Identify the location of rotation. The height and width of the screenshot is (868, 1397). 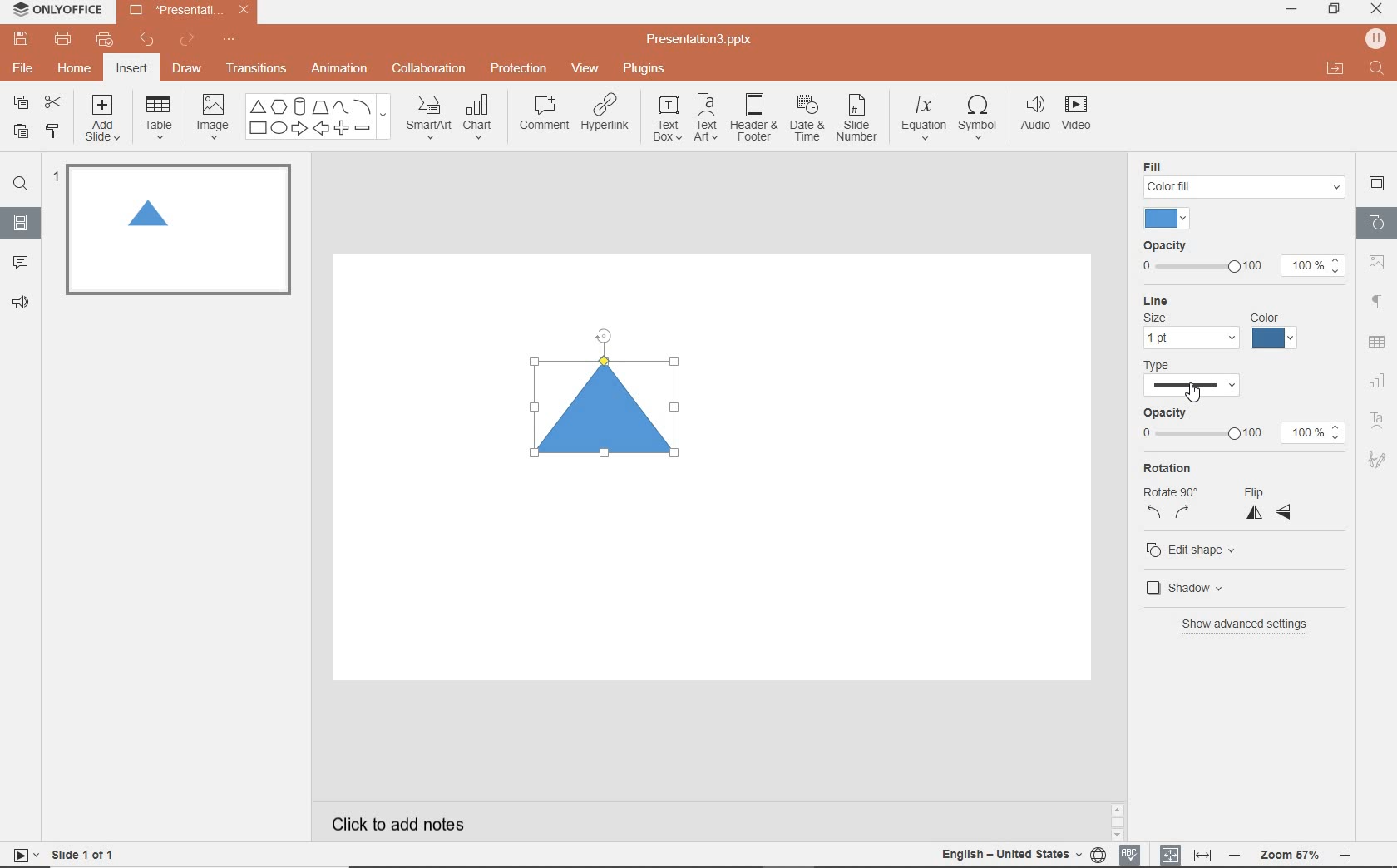
(1168, 491).